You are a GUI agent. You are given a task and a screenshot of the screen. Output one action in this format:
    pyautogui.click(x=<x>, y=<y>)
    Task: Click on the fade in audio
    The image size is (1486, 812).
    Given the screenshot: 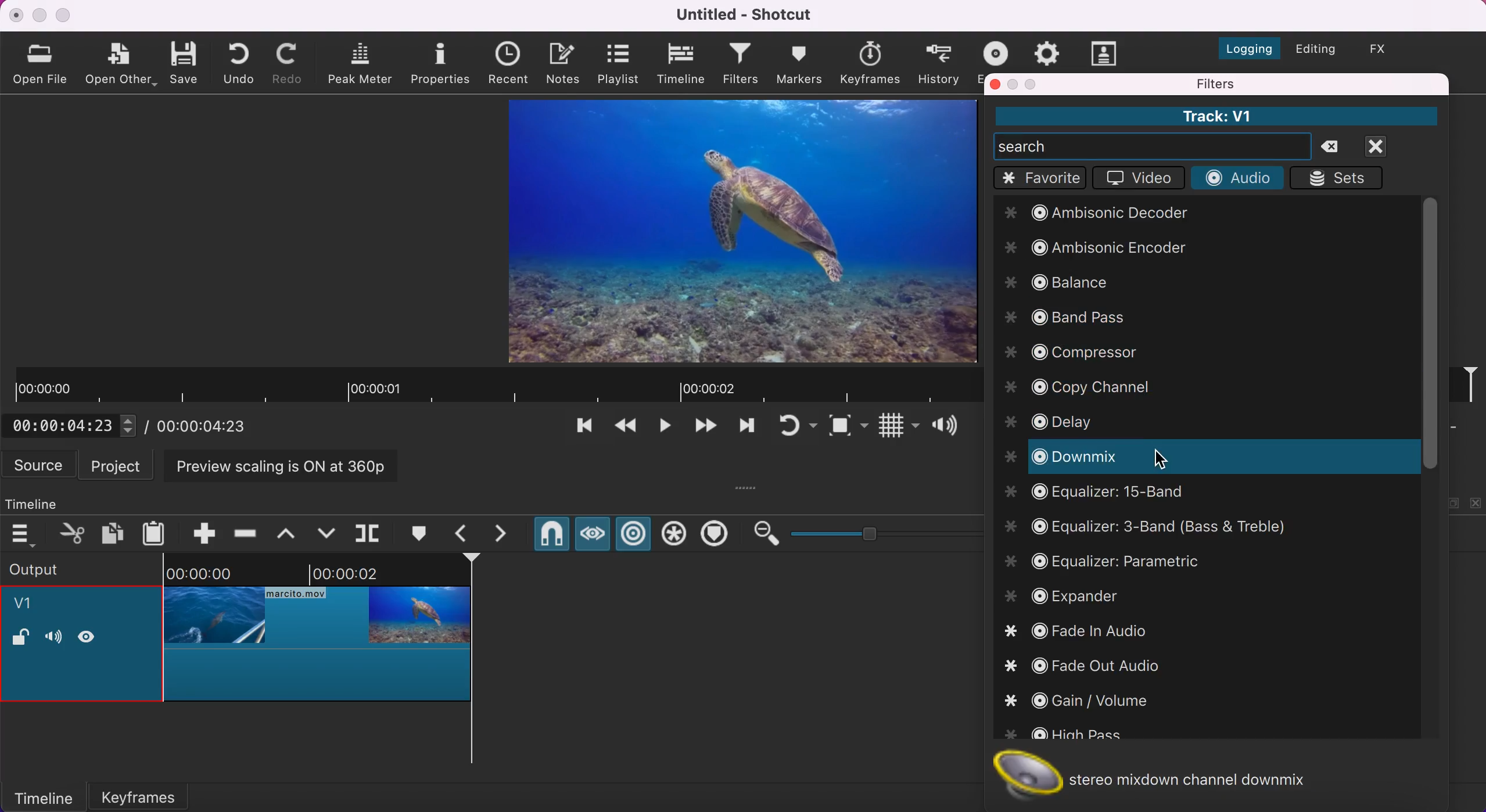 What is the action you would take?
    pyautogui.click(x=1079, y=630)
    